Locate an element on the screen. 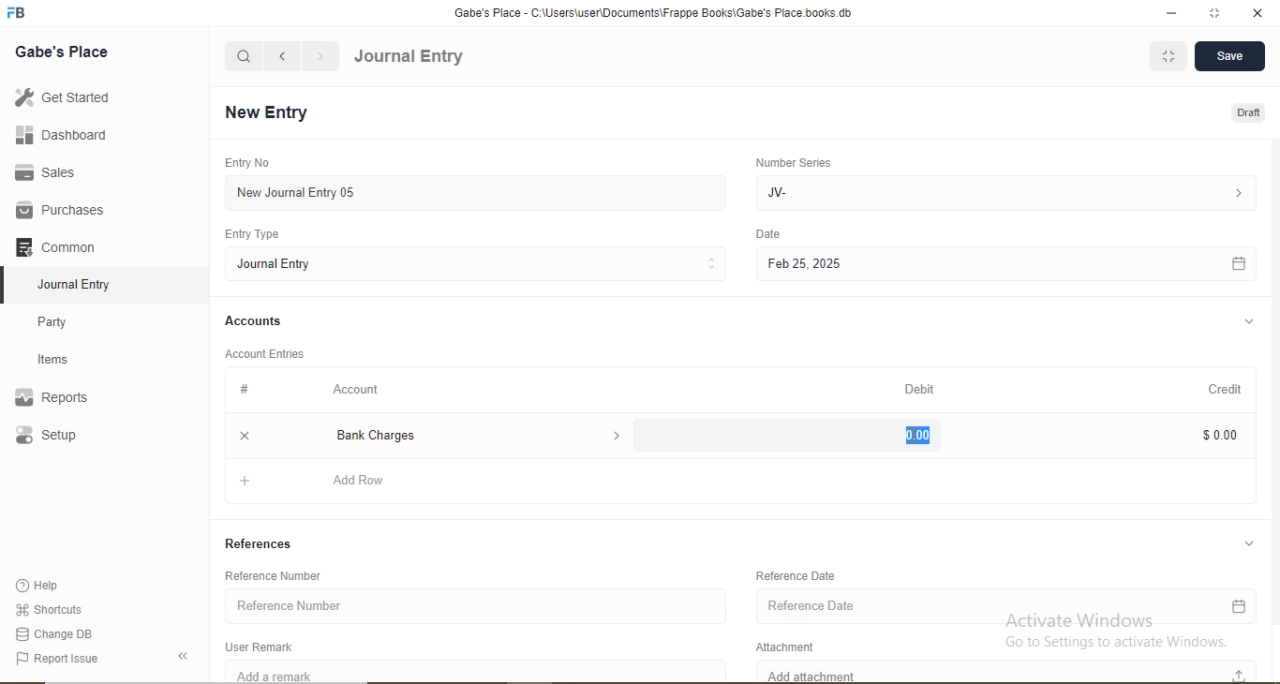 Image resolution: width=1280 pixels, height=684 pixels. User Remark is located at coordinates (264, 645).